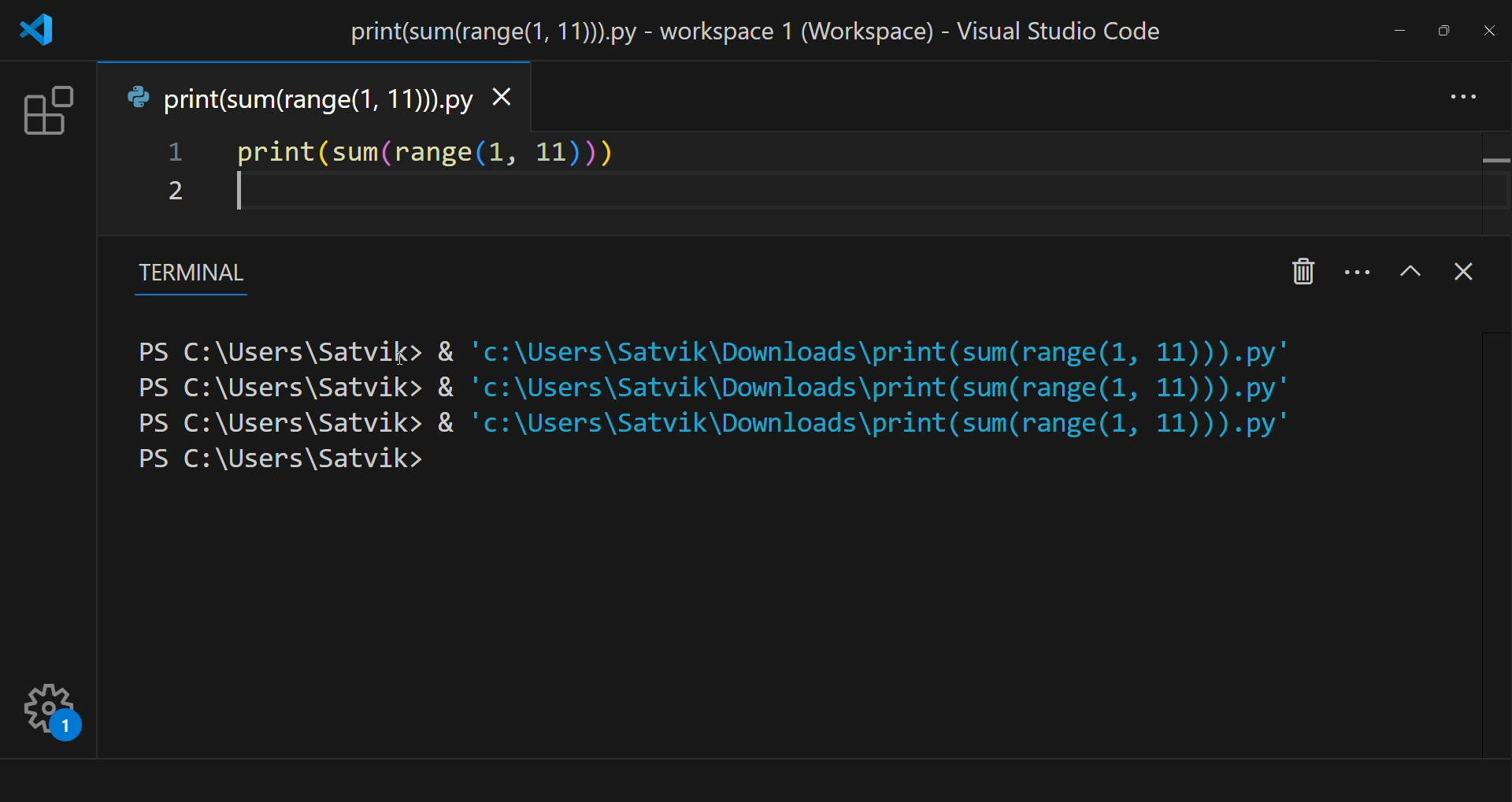 The width and height of the screenshot is (1512, 802). I want to click on logo, so click(41, 28).